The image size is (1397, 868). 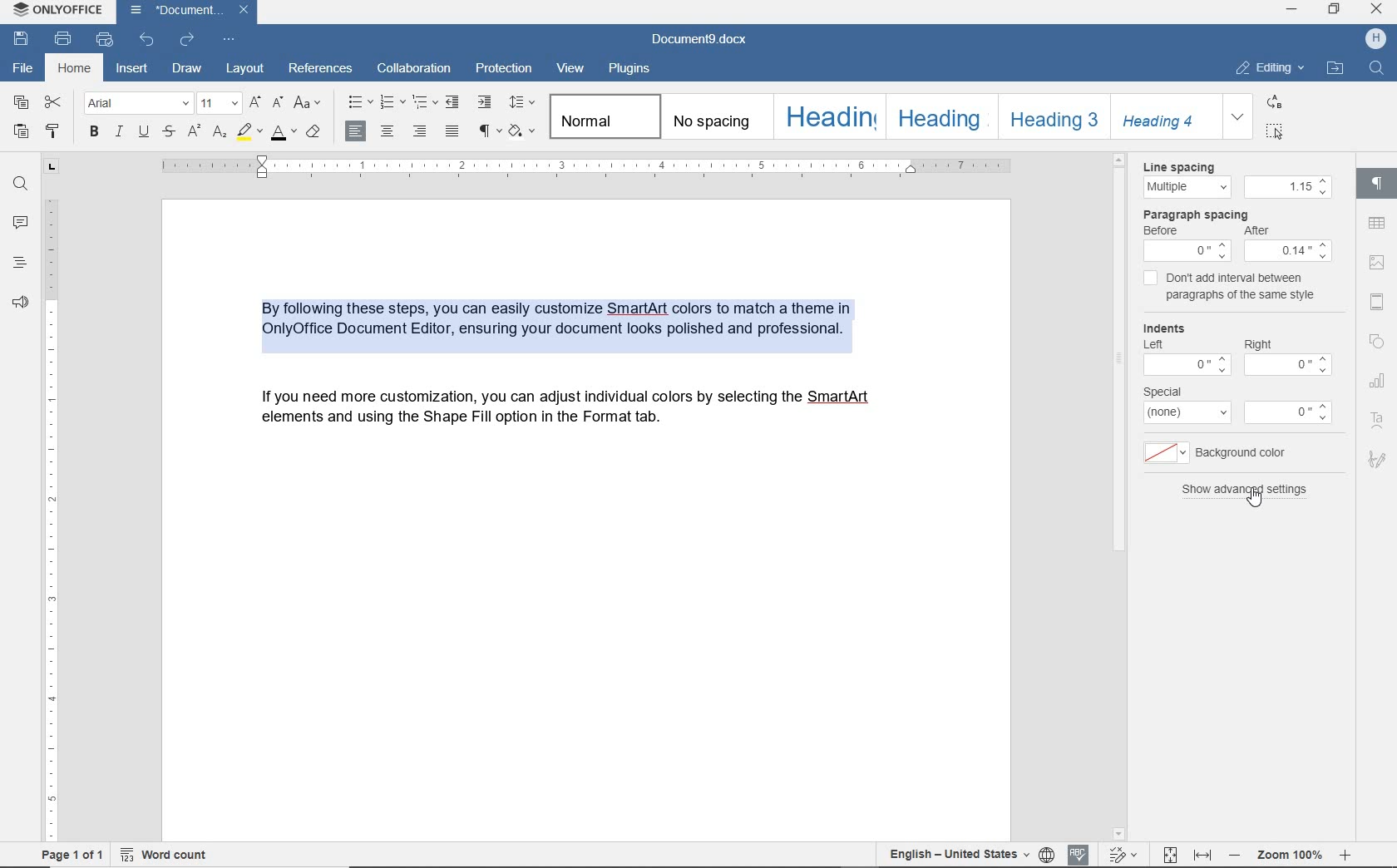 What do you see at coordinates (1375, 40) in the screenshot?
I see `profile` at bounding box center [1375, 40].